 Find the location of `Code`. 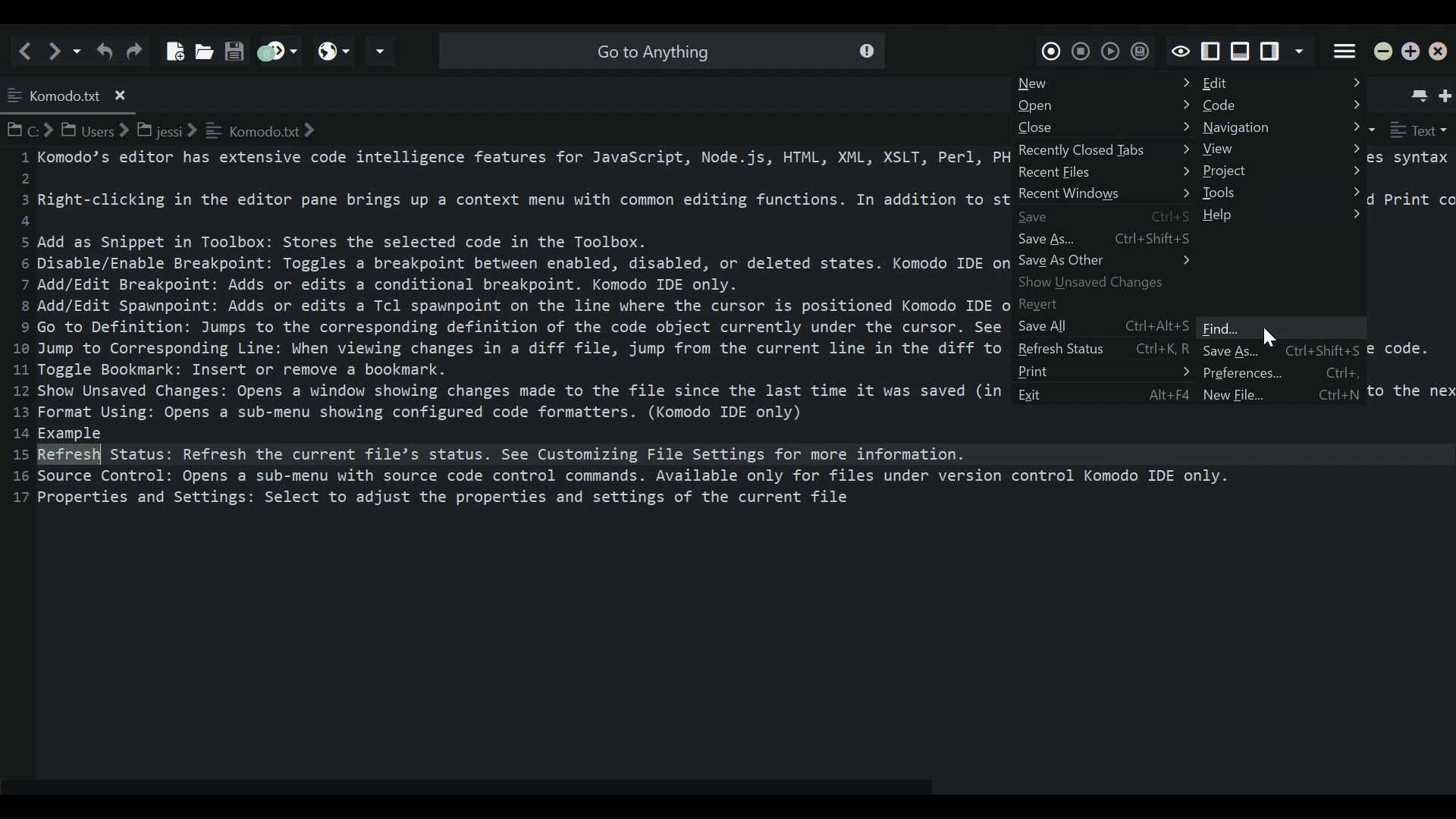

Code is located at coordinates (1284, 105).